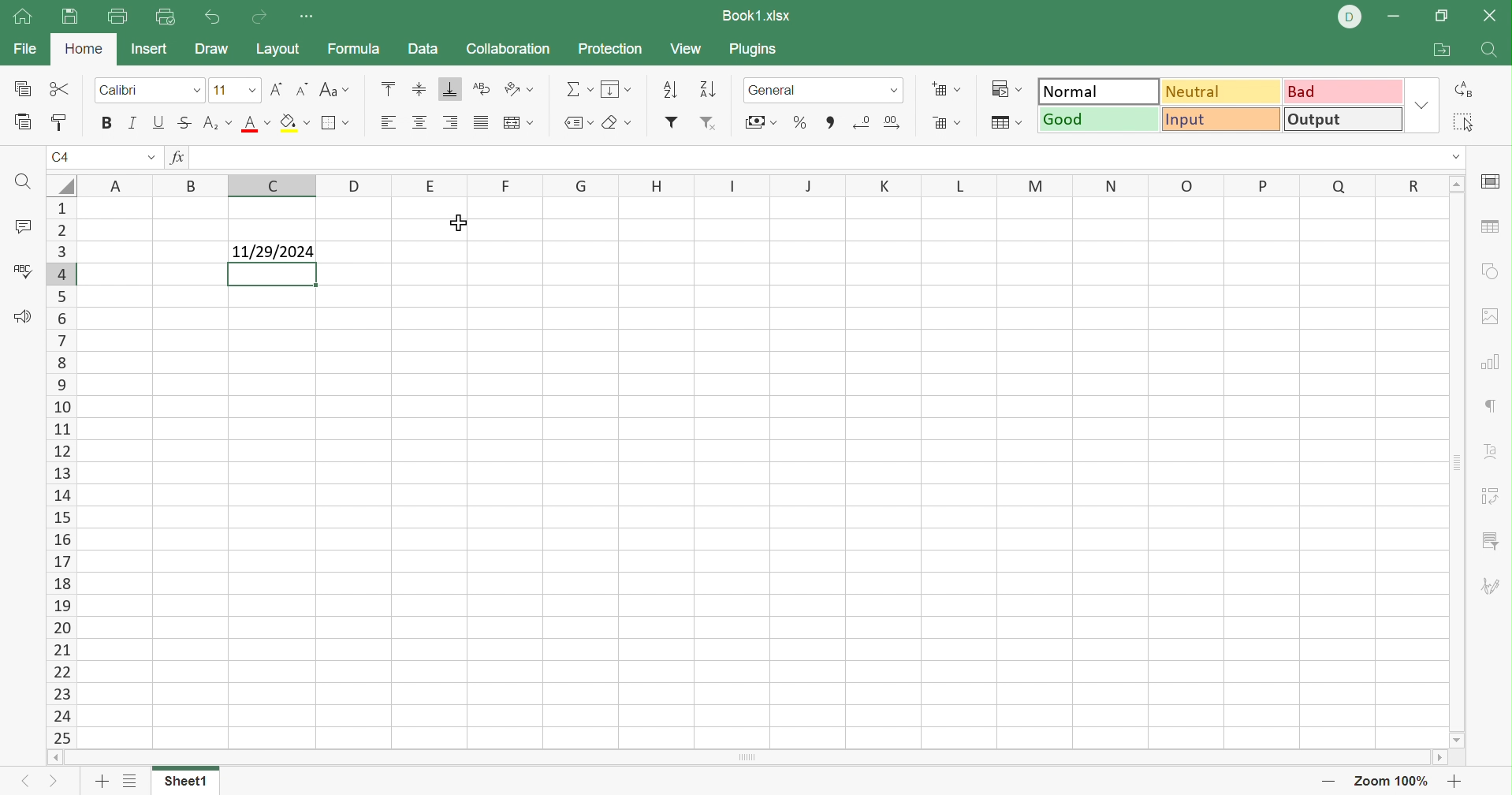  What do you see at coordinates (1455, 156) in the screenshot?
I see `Drop Down` at bounding box center [1455, 156].